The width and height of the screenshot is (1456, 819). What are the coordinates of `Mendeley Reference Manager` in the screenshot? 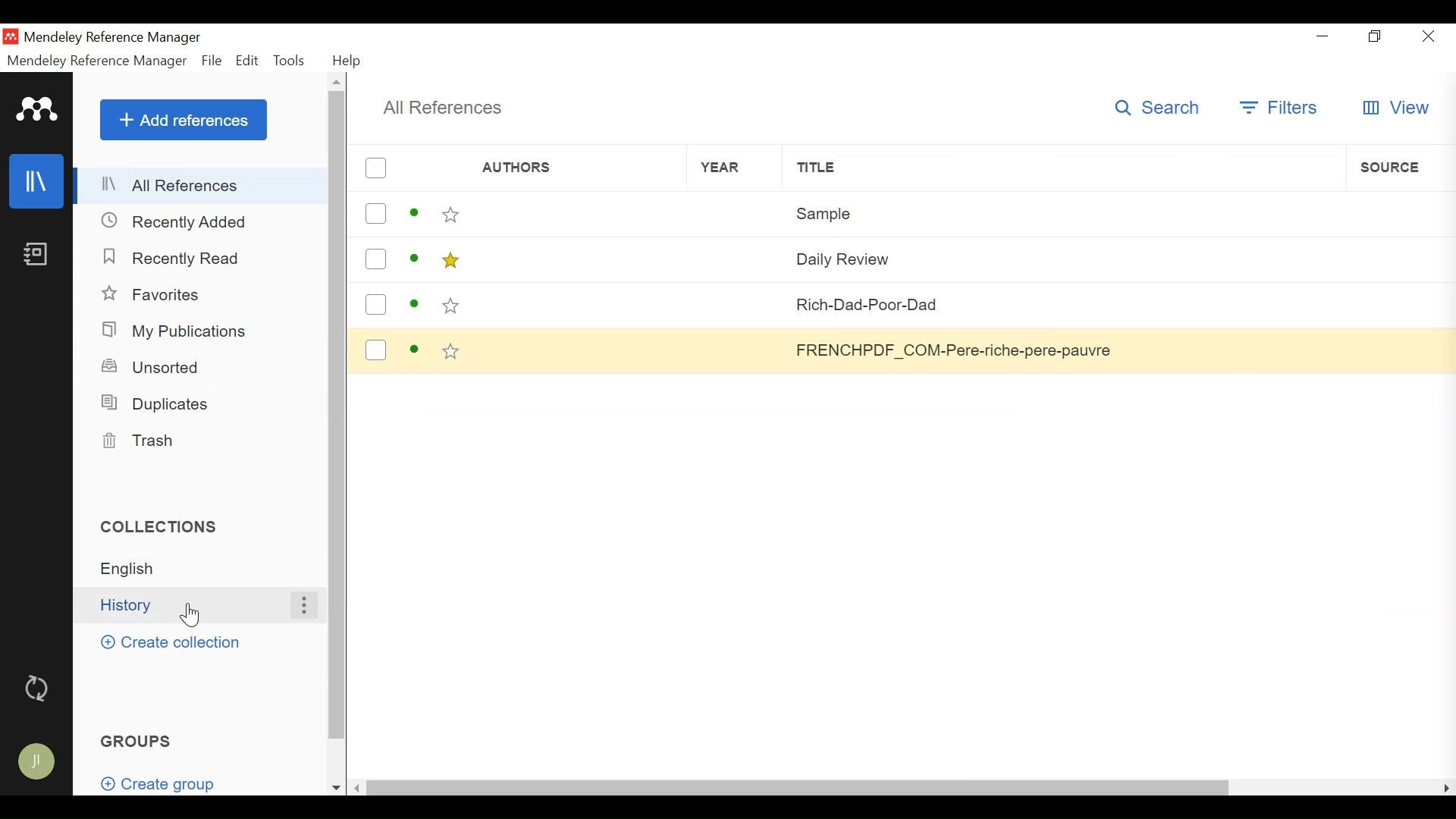 It's located at (113, 39).